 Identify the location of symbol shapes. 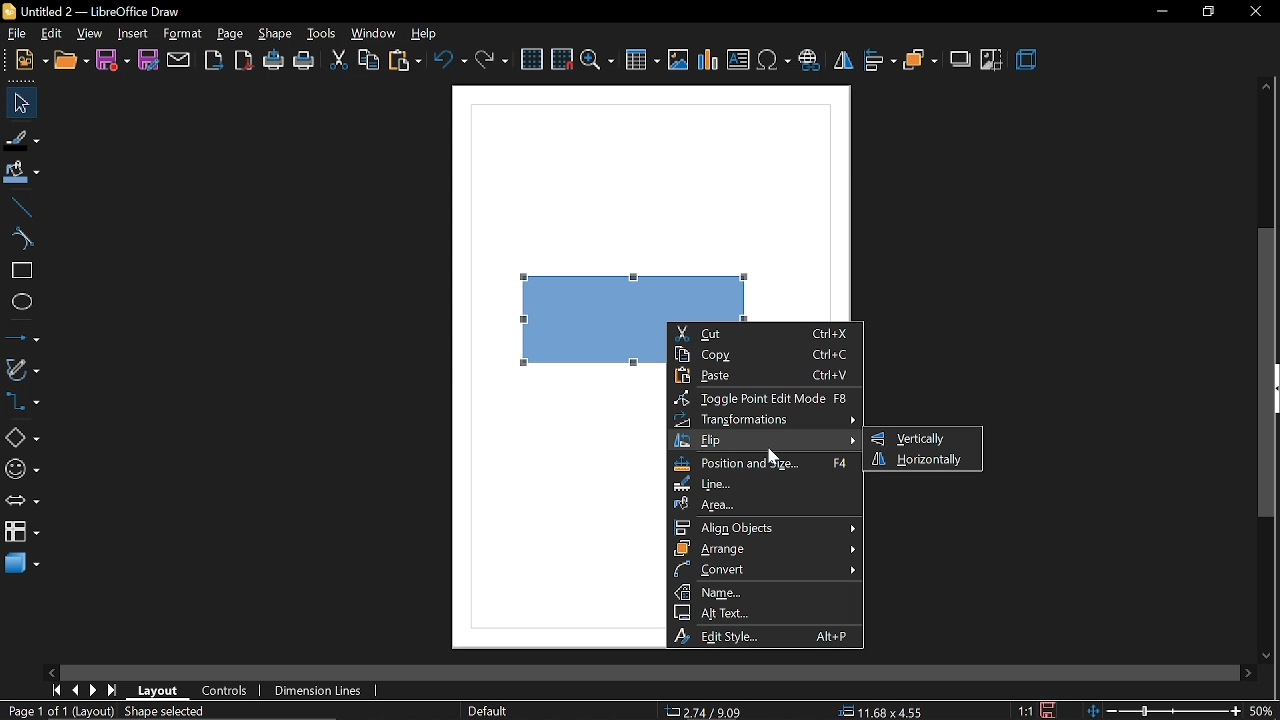
(21, 469).